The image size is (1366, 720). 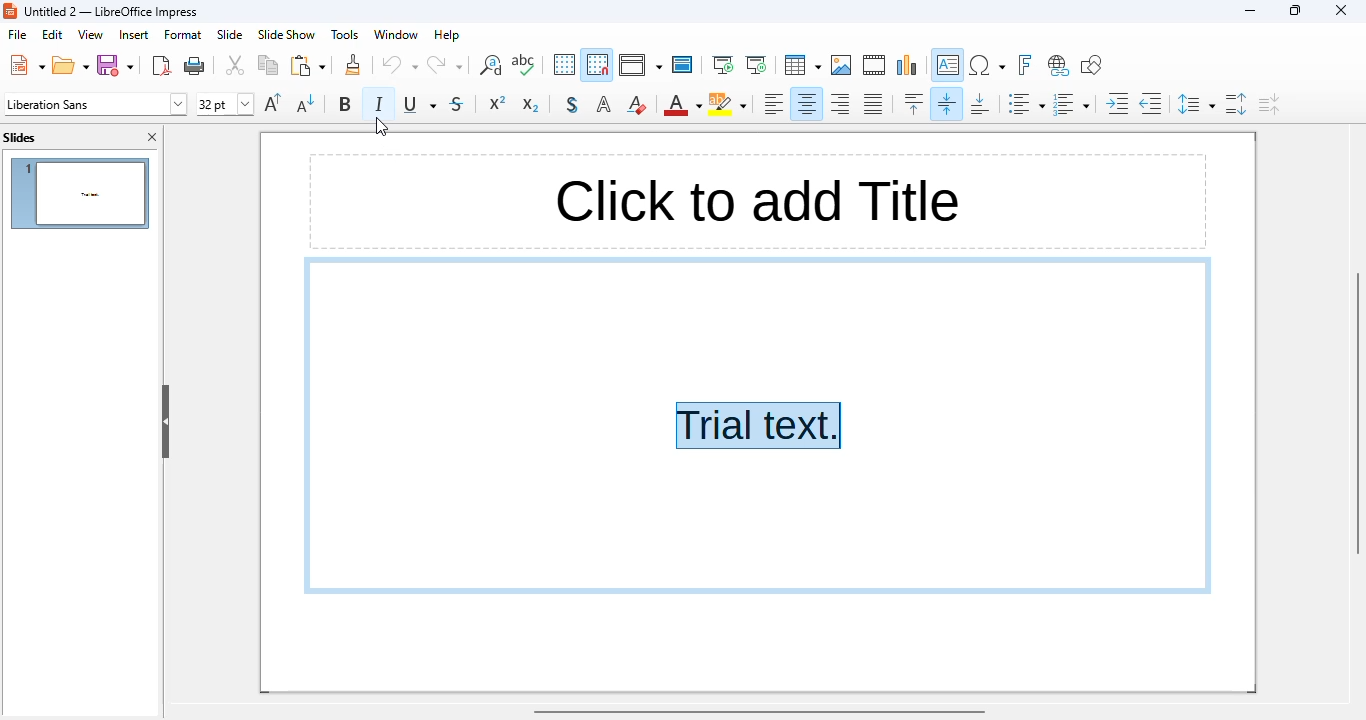 What do you see at coordinates (163, 65) in the screenshot?
I see `export directly as PDF` at bounding box center [163, 65].